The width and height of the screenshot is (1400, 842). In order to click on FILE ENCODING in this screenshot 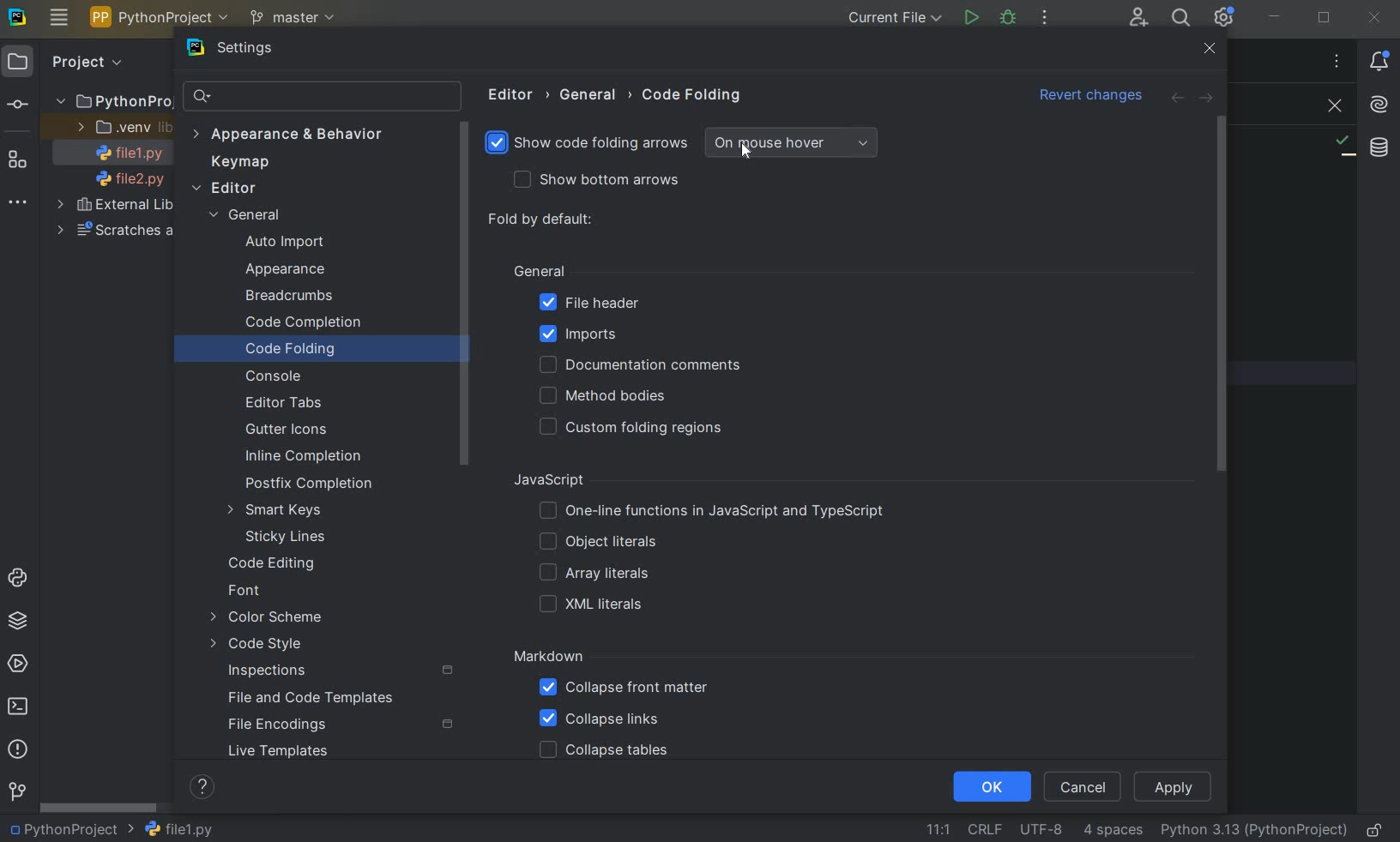, I will do `click(1038, 829)`.